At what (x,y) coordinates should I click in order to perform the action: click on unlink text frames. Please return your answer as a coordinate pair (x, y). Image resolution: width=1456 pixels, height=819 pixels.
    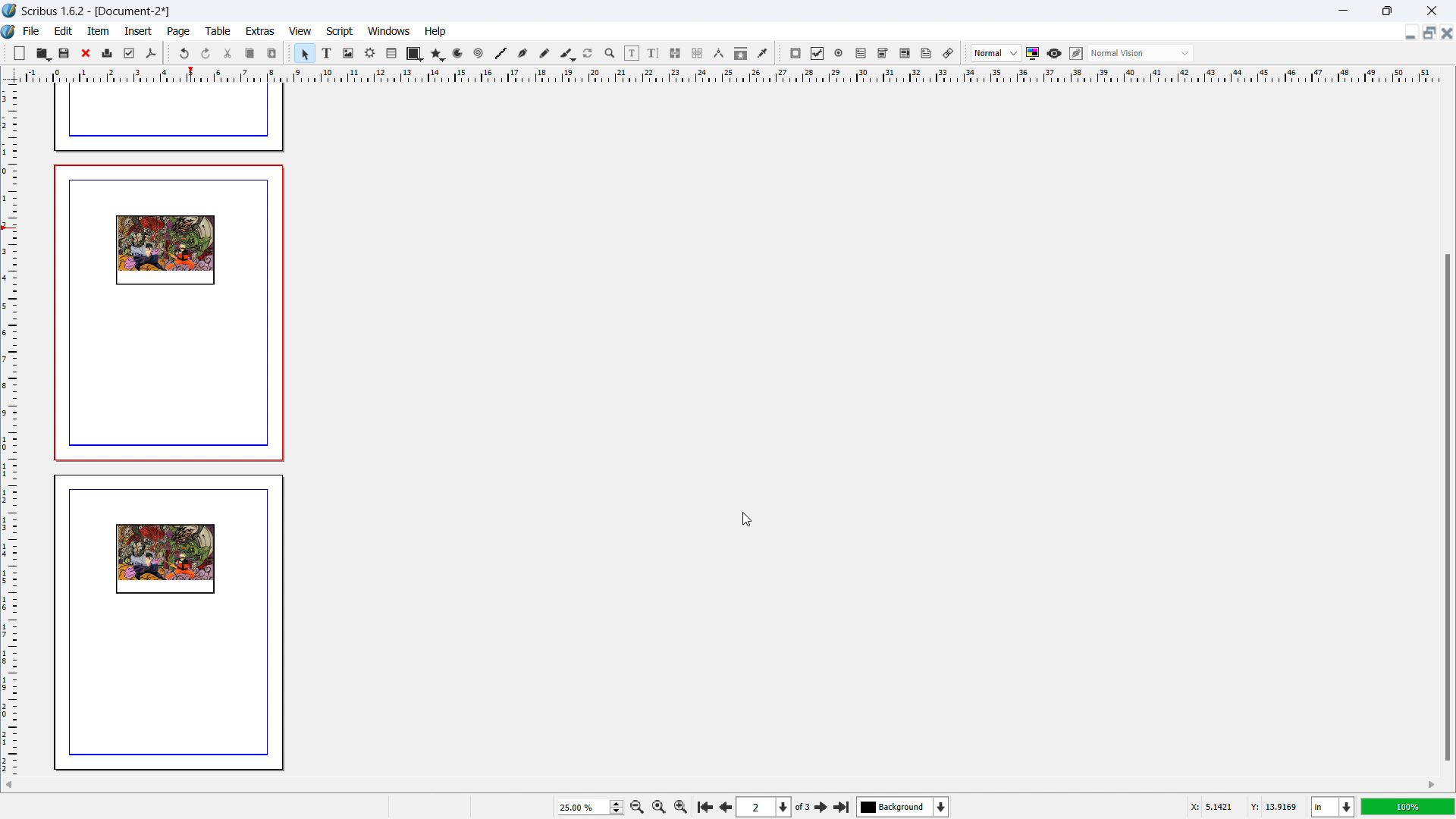
    Looking at the image, I should click on (697, 54).